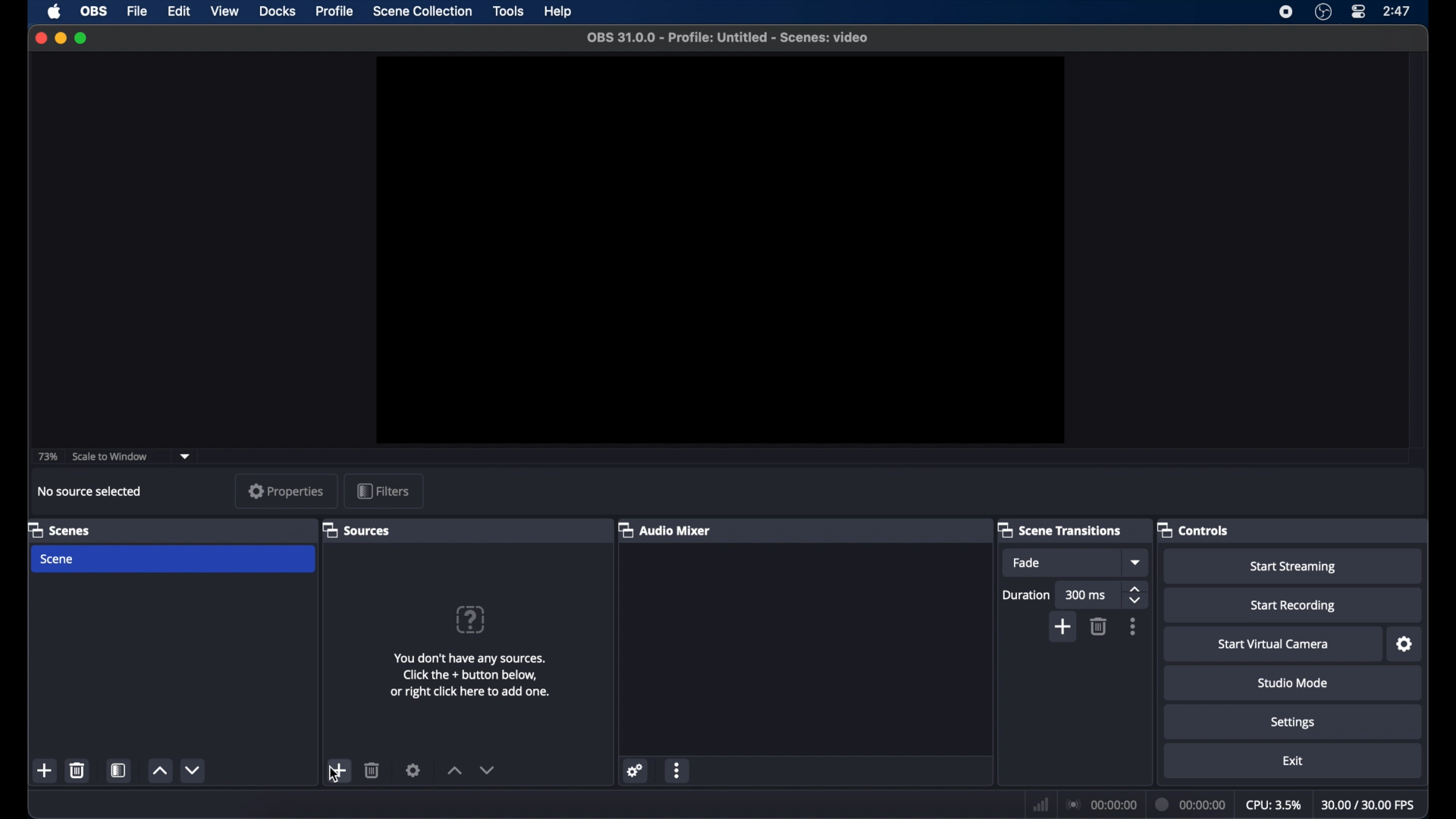 This screenshot has height=819, width=1456. What do you see at coordinates (678, 770) in the screenshot?
I see `more options` at bounding box center [678, 770].